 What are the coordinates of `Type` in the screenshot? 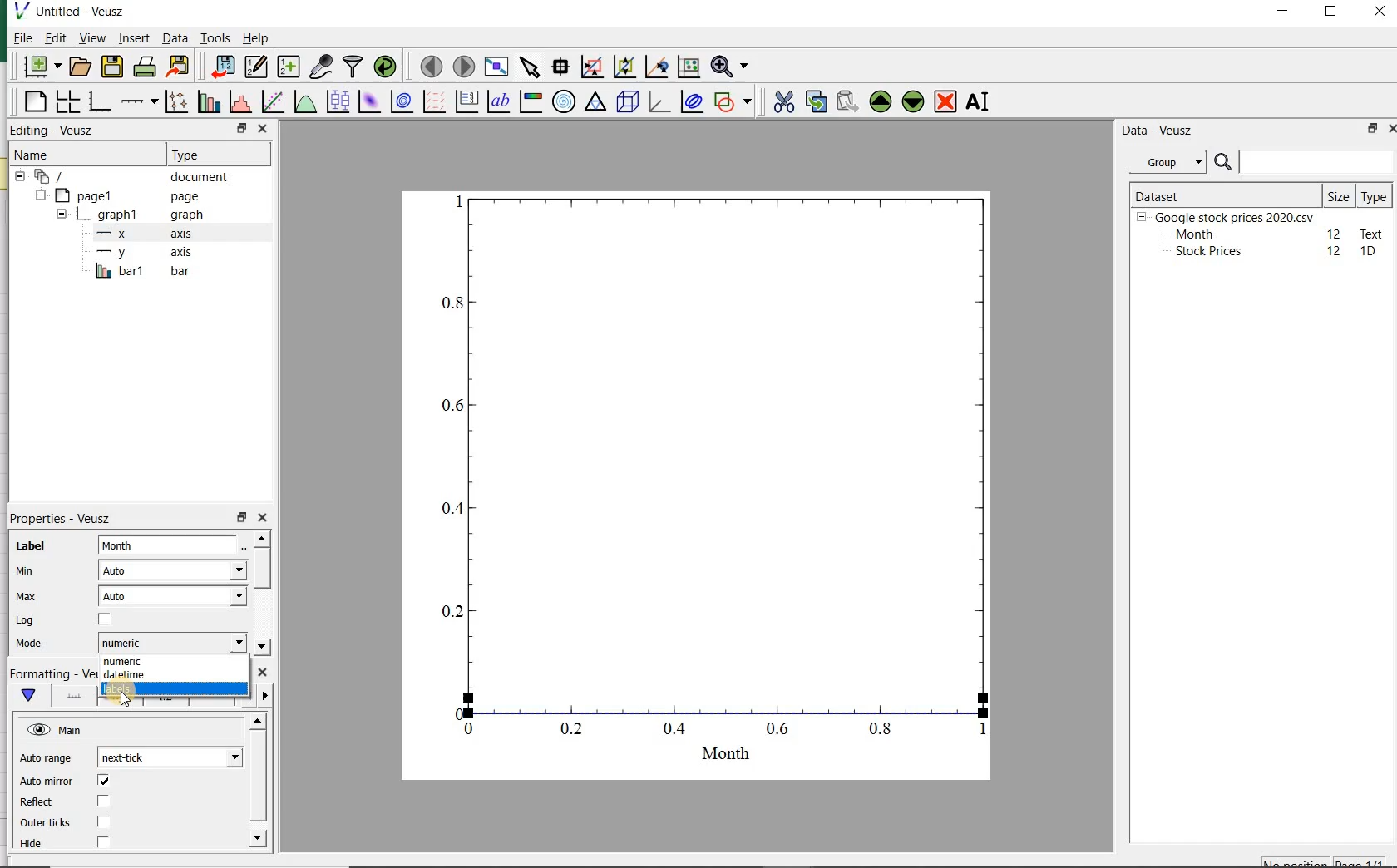 It's located at (207, 153).